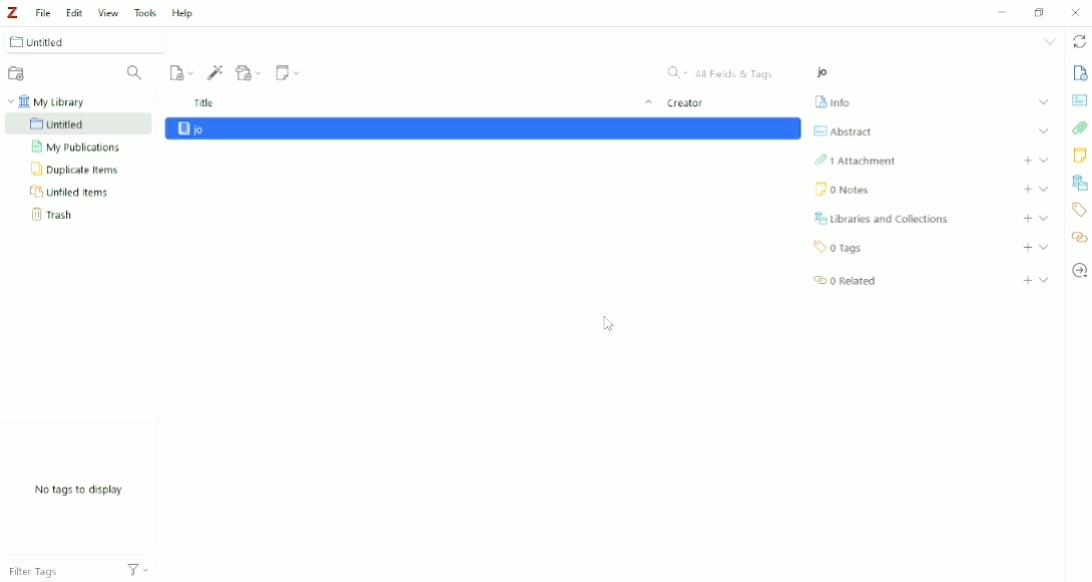 This screenshot has width=1092, height=582. I want to click on New Item, so click(183, 73).